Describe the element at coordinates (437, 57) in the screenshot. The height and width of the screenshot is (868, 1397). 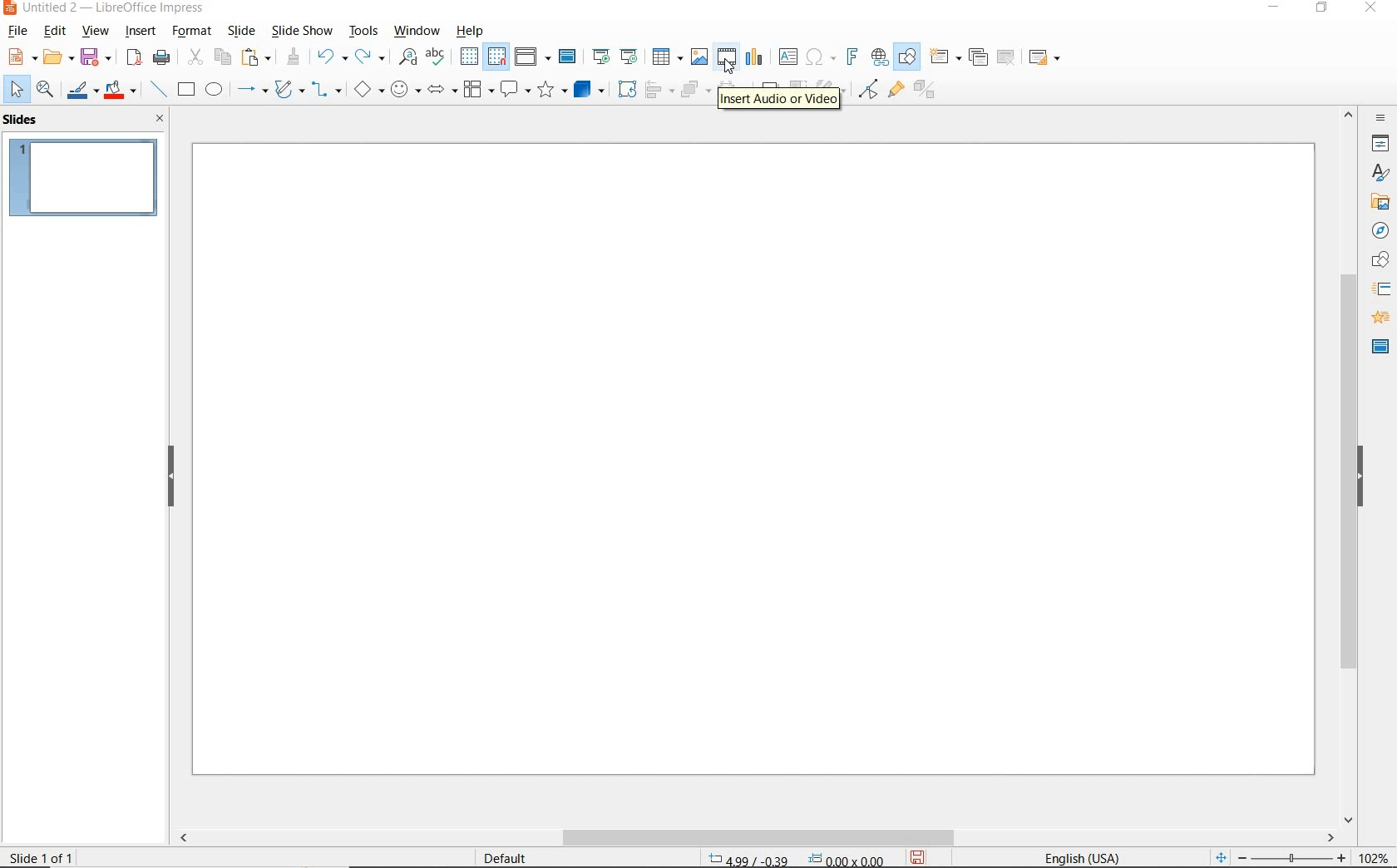
I see `SPELLING` at that location.